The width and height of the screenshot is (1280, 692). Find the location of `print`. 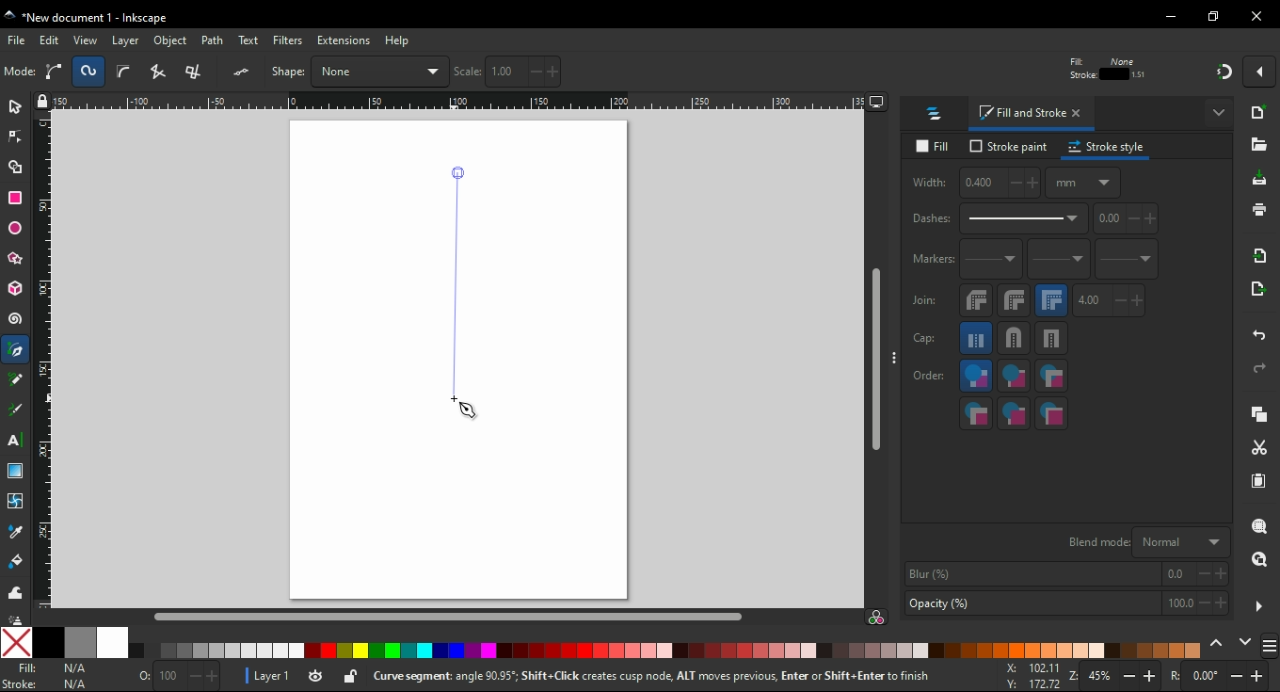

print is located at coordinates (1258, 209).